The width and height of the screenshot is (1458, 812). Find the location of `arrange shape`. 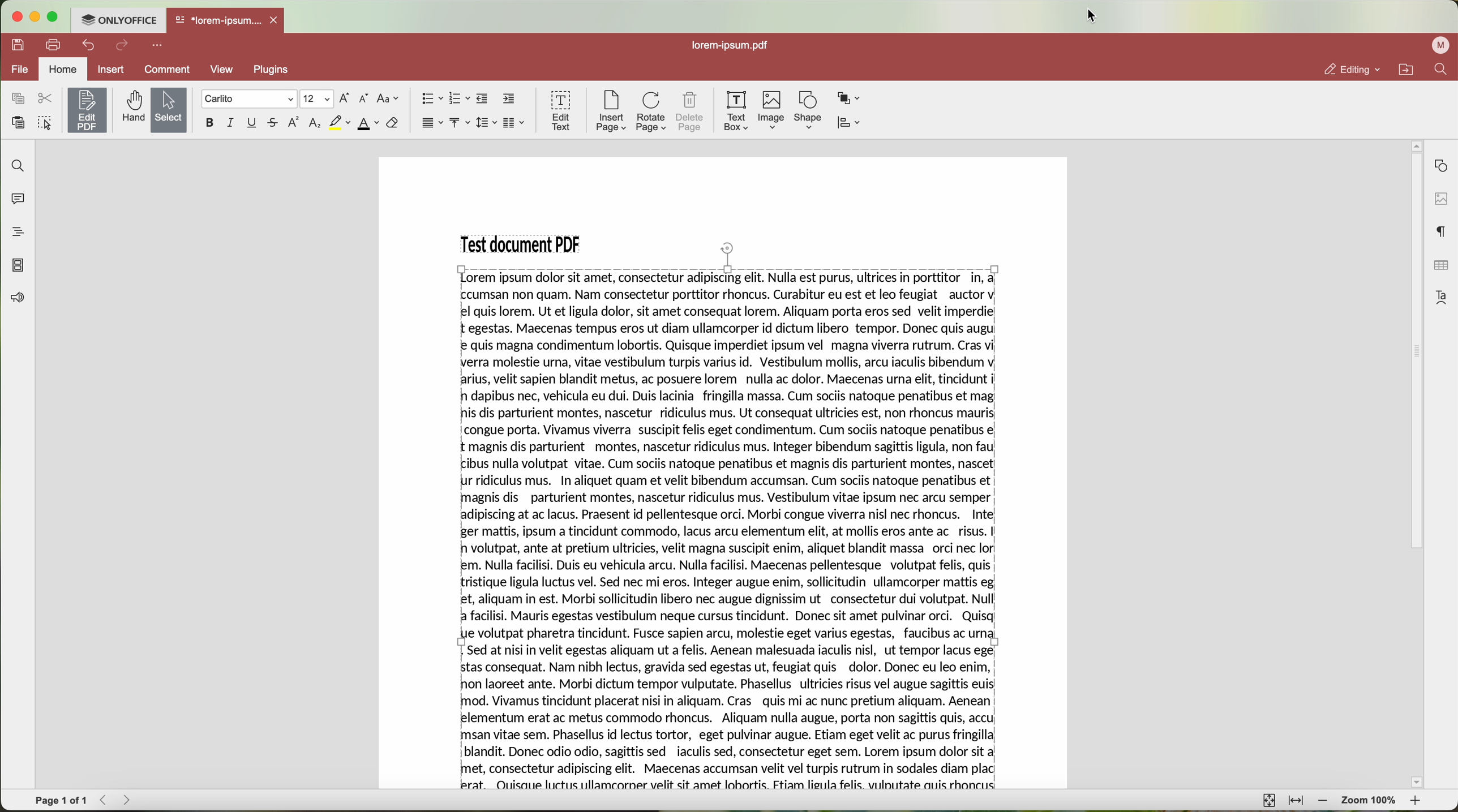

arrange shape is located at coordinates (848, 97).